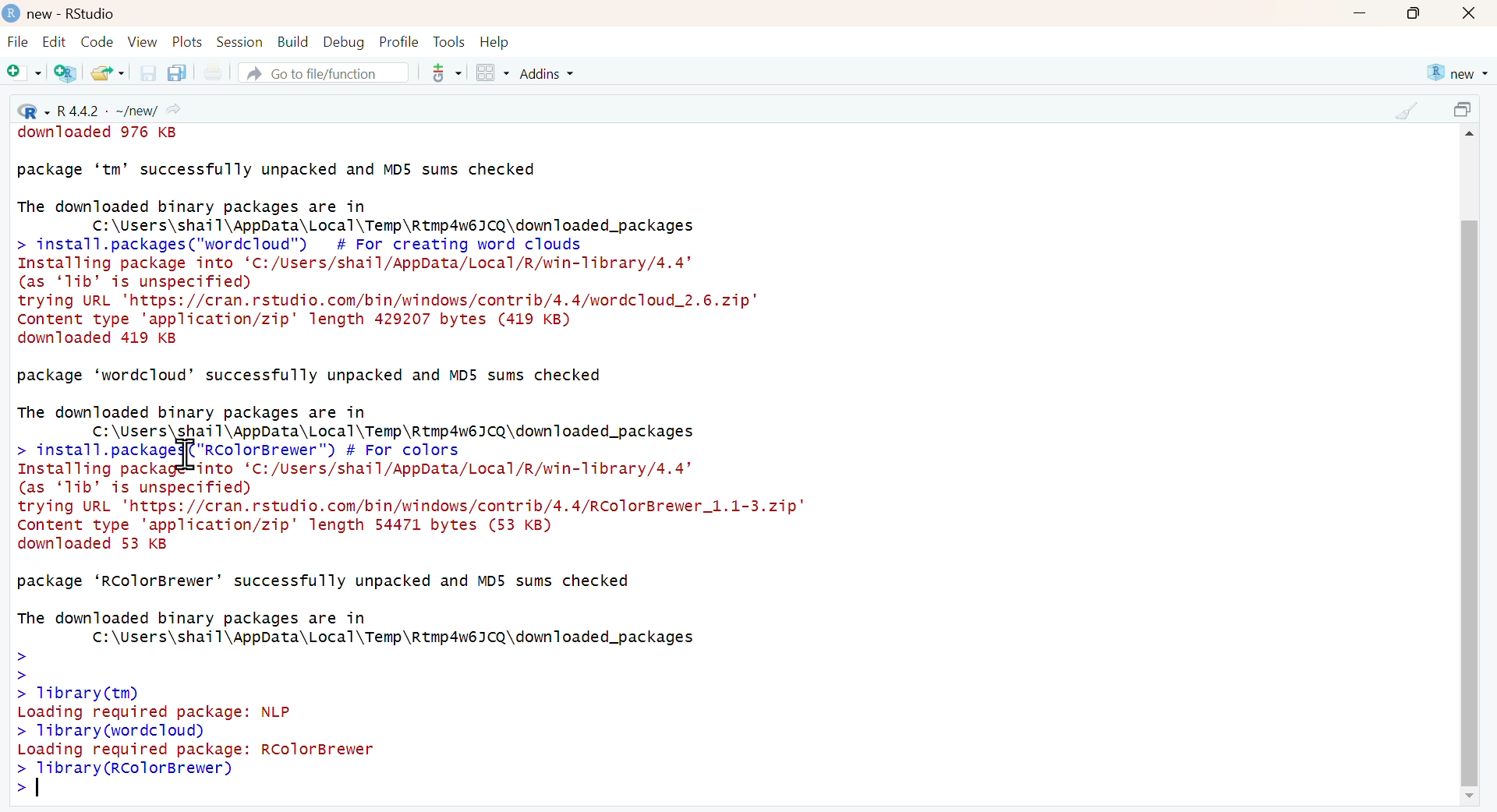 The image size is (1497, 812). Describe the element at coordinates (278, 169) in the screenshot. I see `package ‘tm’ successfully unpacked and MD5 sums checked` at that location.